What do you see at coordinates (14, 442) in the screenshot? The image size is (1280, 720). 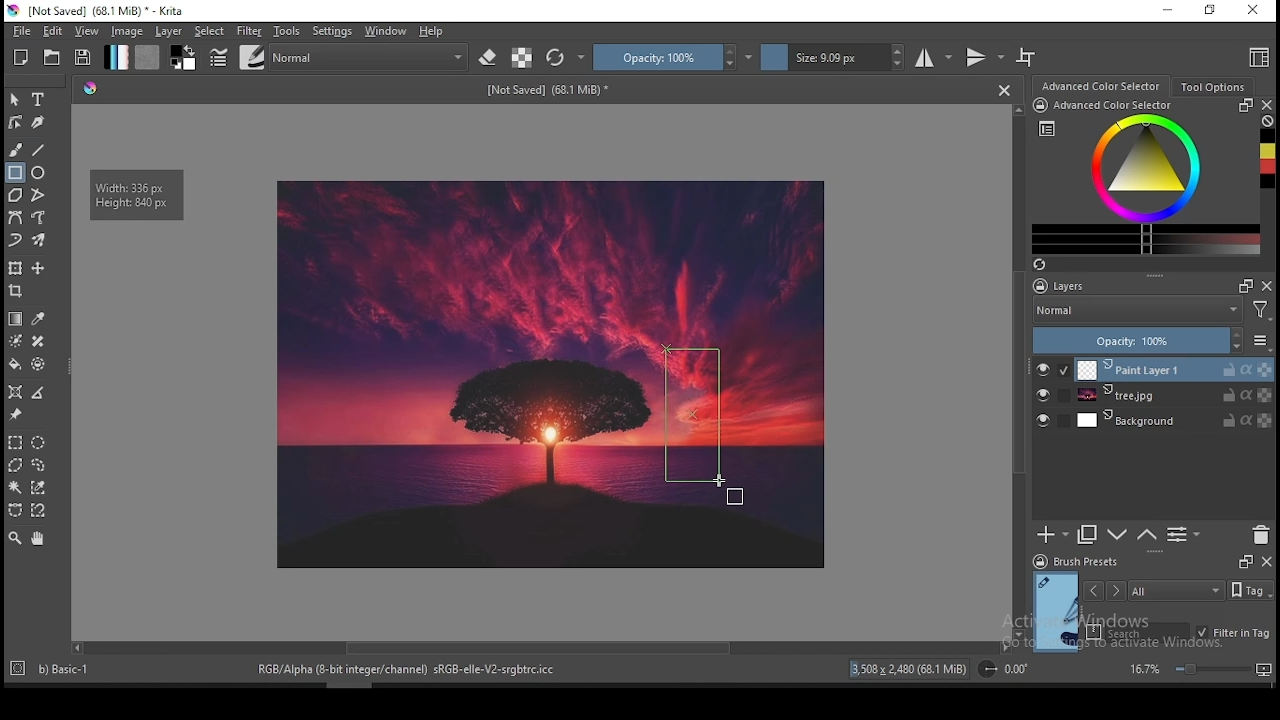 I see `polygon selection tool` at bounding box center [14, 442].